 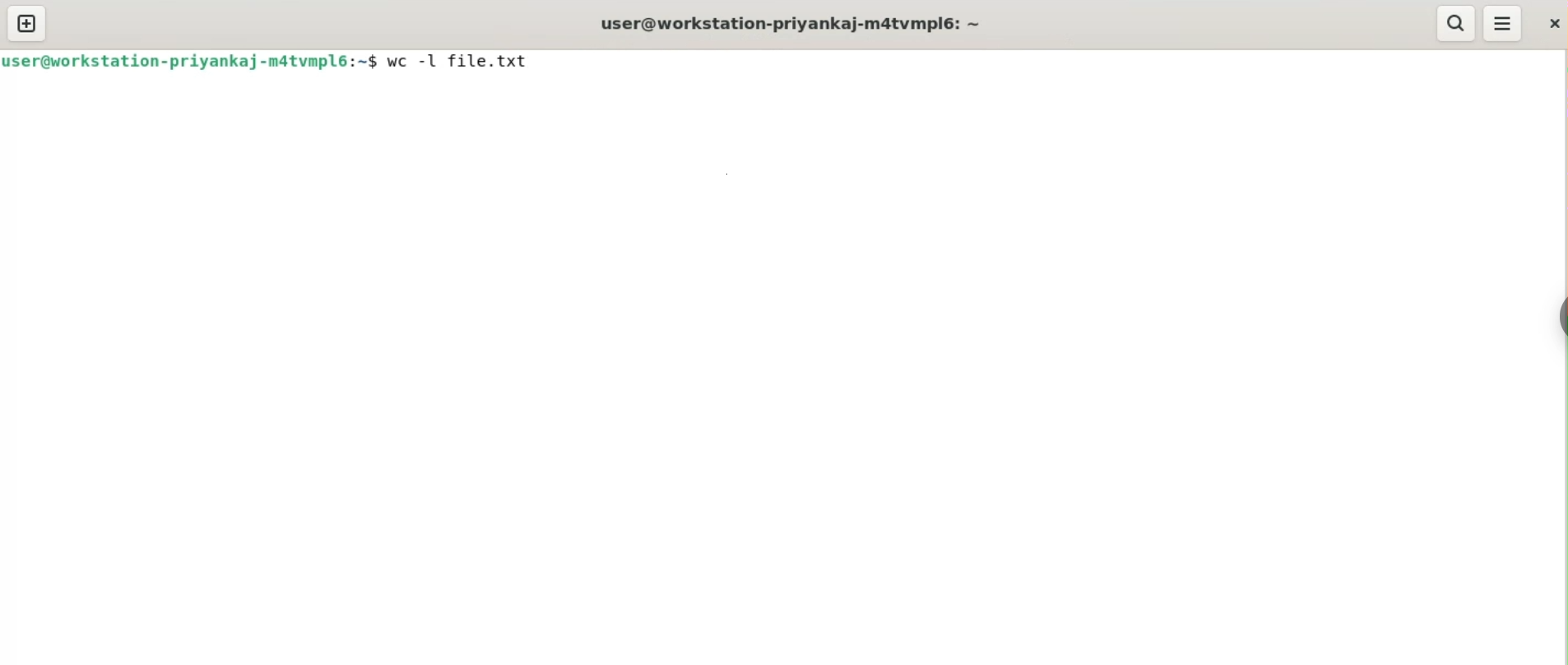 I want to click on menu, so click(x=1503, y=23).